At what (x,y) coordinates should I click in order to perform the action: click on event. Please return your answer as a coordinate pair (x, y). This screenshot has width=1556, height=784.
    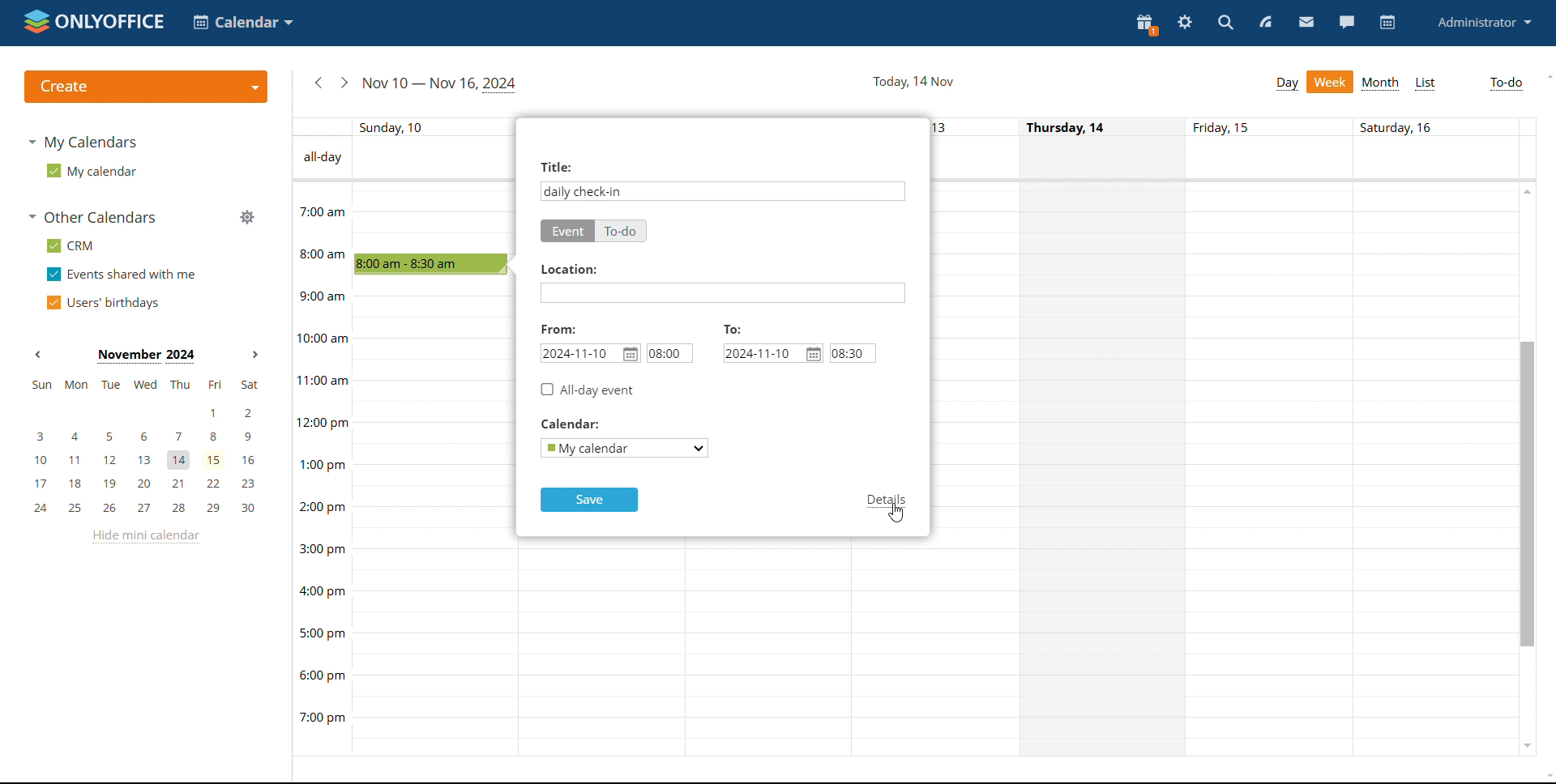
    Looking at the image, I should click on (567, 230).